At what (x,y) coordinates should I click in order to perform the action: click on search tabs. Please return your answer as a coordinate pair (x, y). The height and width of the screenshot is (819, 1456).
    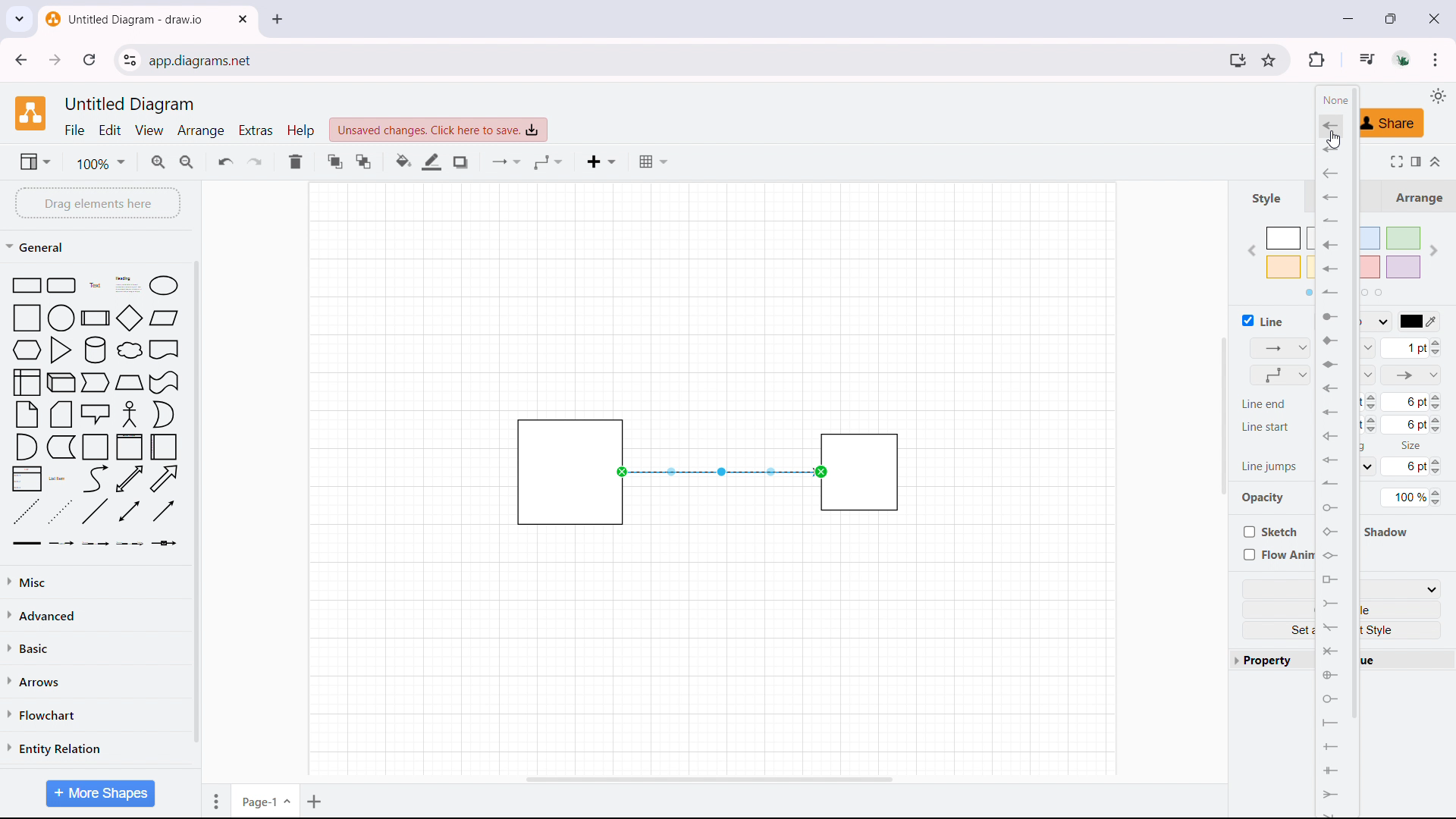
    Looking at the image, I should click on (19, 20).